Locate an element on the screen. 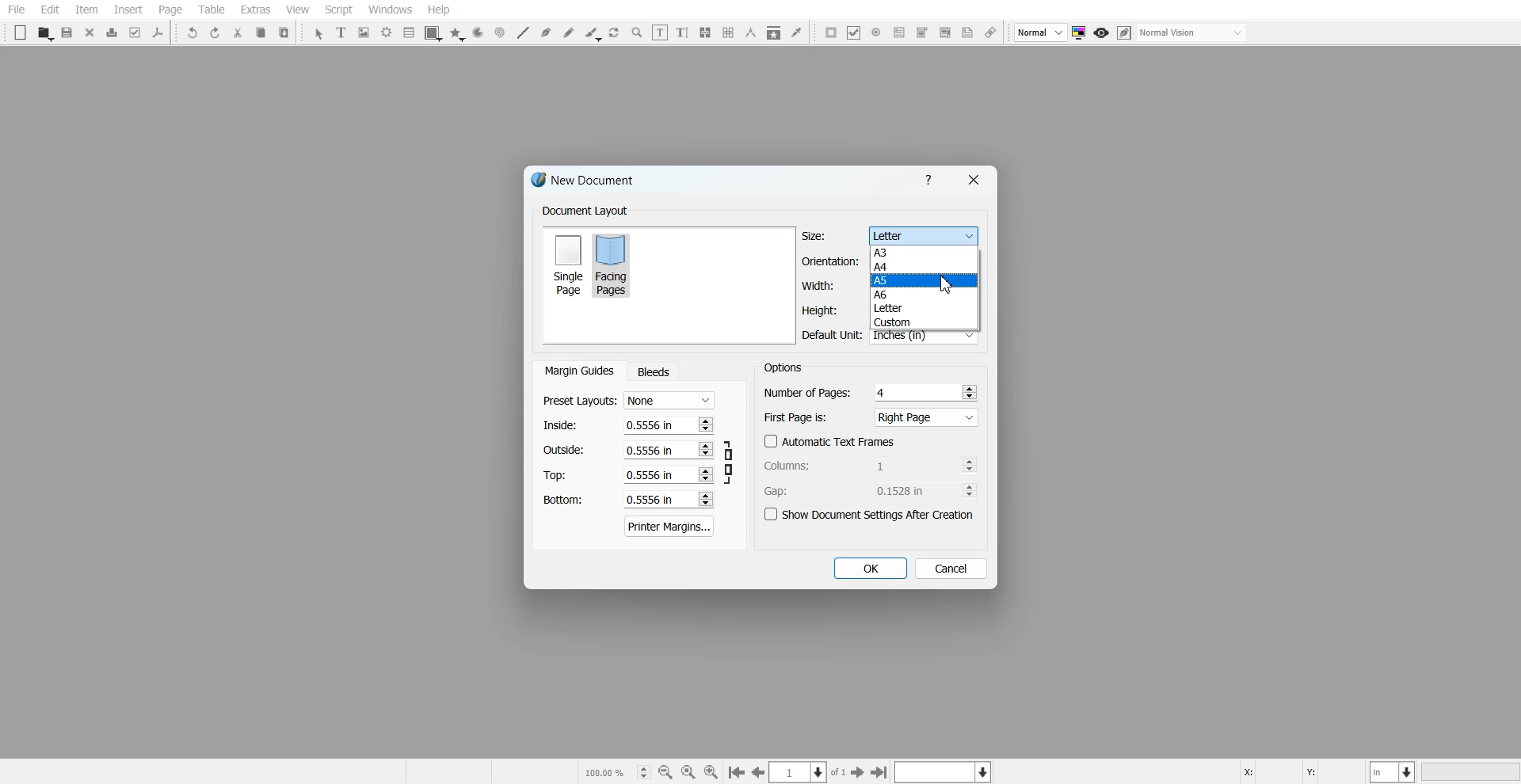 This screenshot has width=1521, height=784. Size is located at coordinates (826, 236).